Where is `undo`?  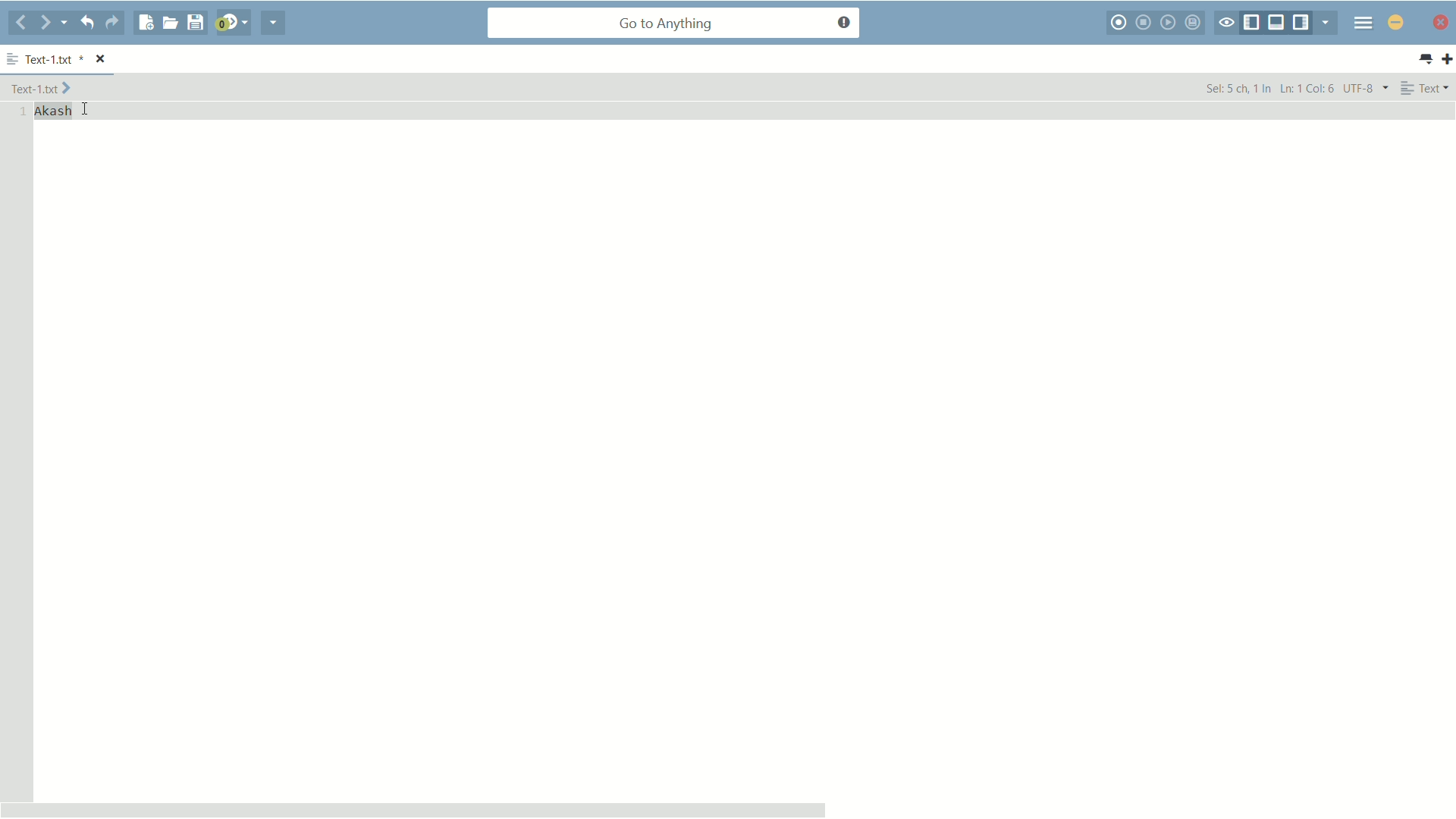
undo is located at coordinates (86, 22).